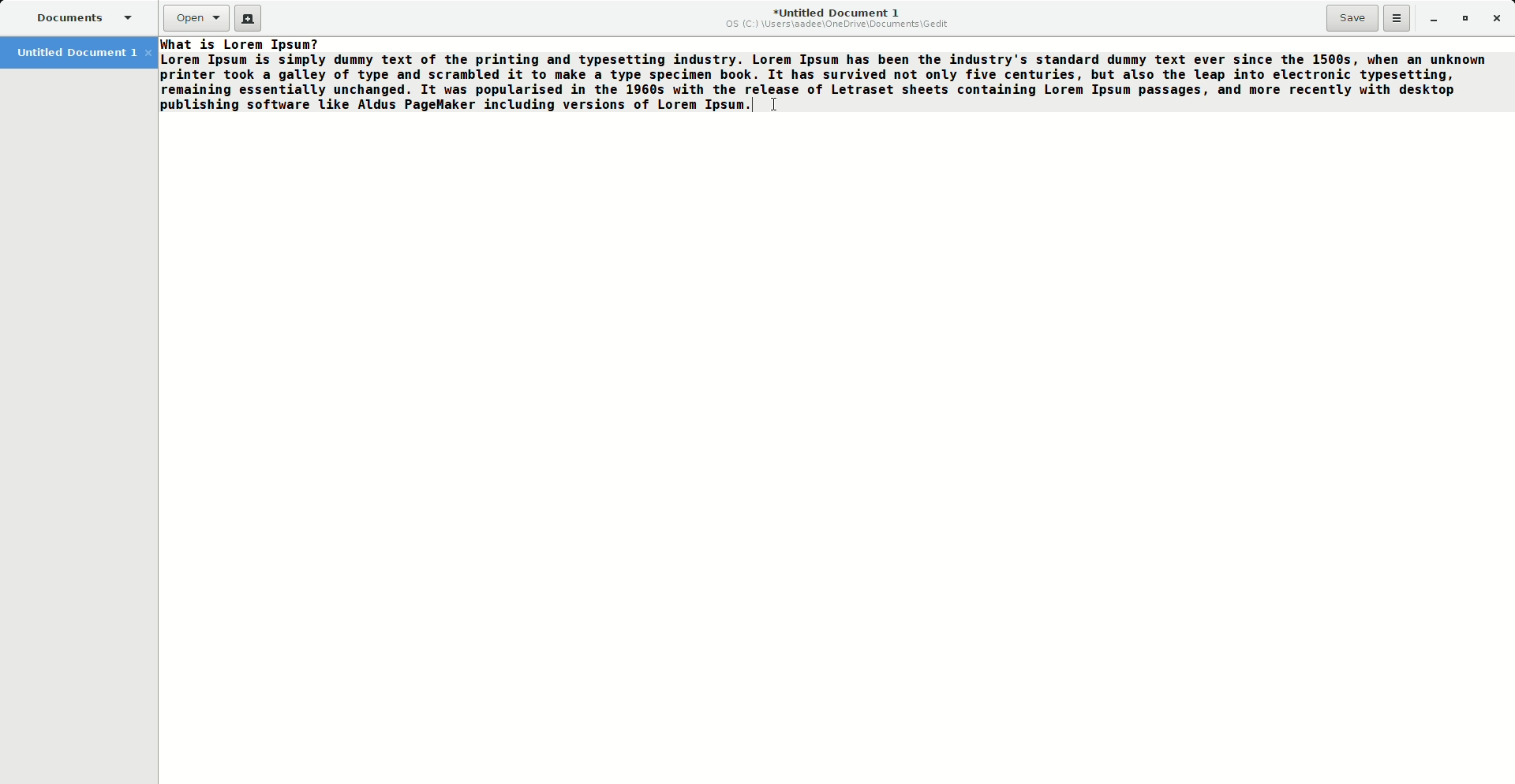 The width and height of the screenshot is (1515, 784). Describe the element at coordinates (1428, 18) in the screenshot. I see `Minimize` at that location.